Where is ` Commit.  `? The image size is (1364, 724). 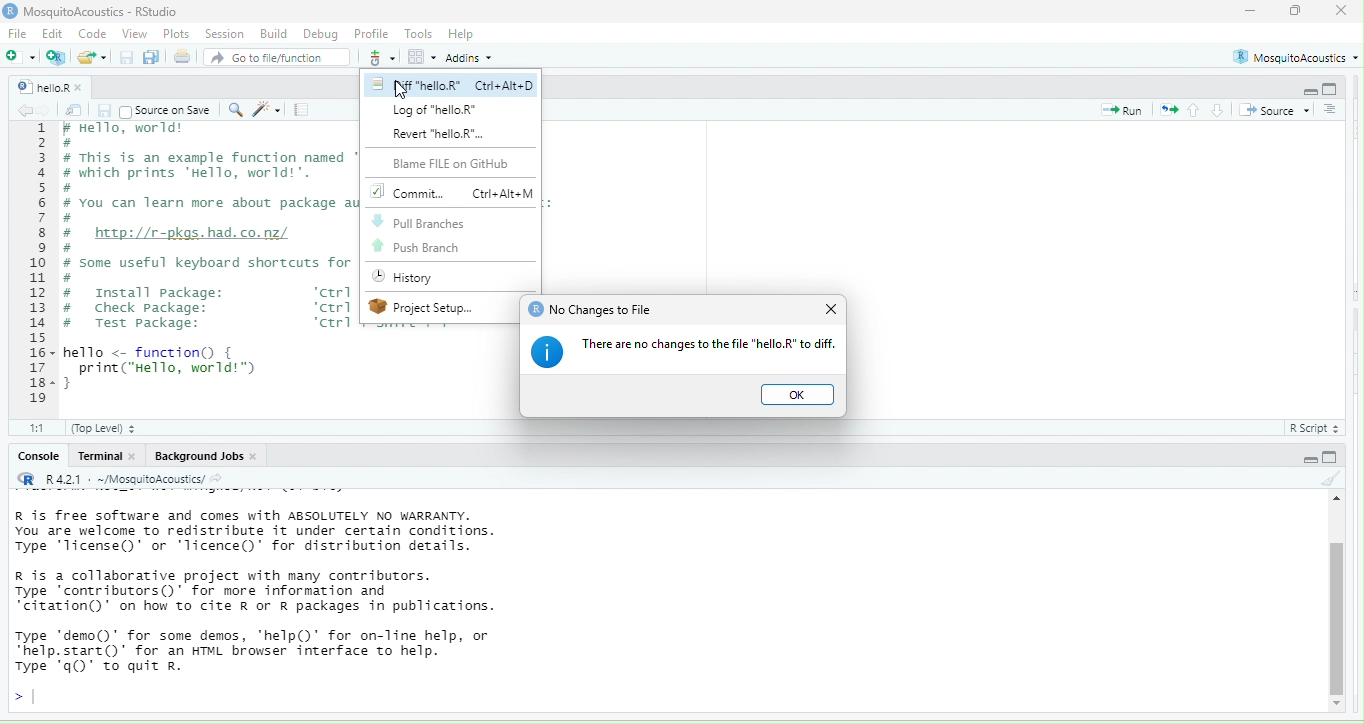
 Commit.   is located at coordinates (451, 192).